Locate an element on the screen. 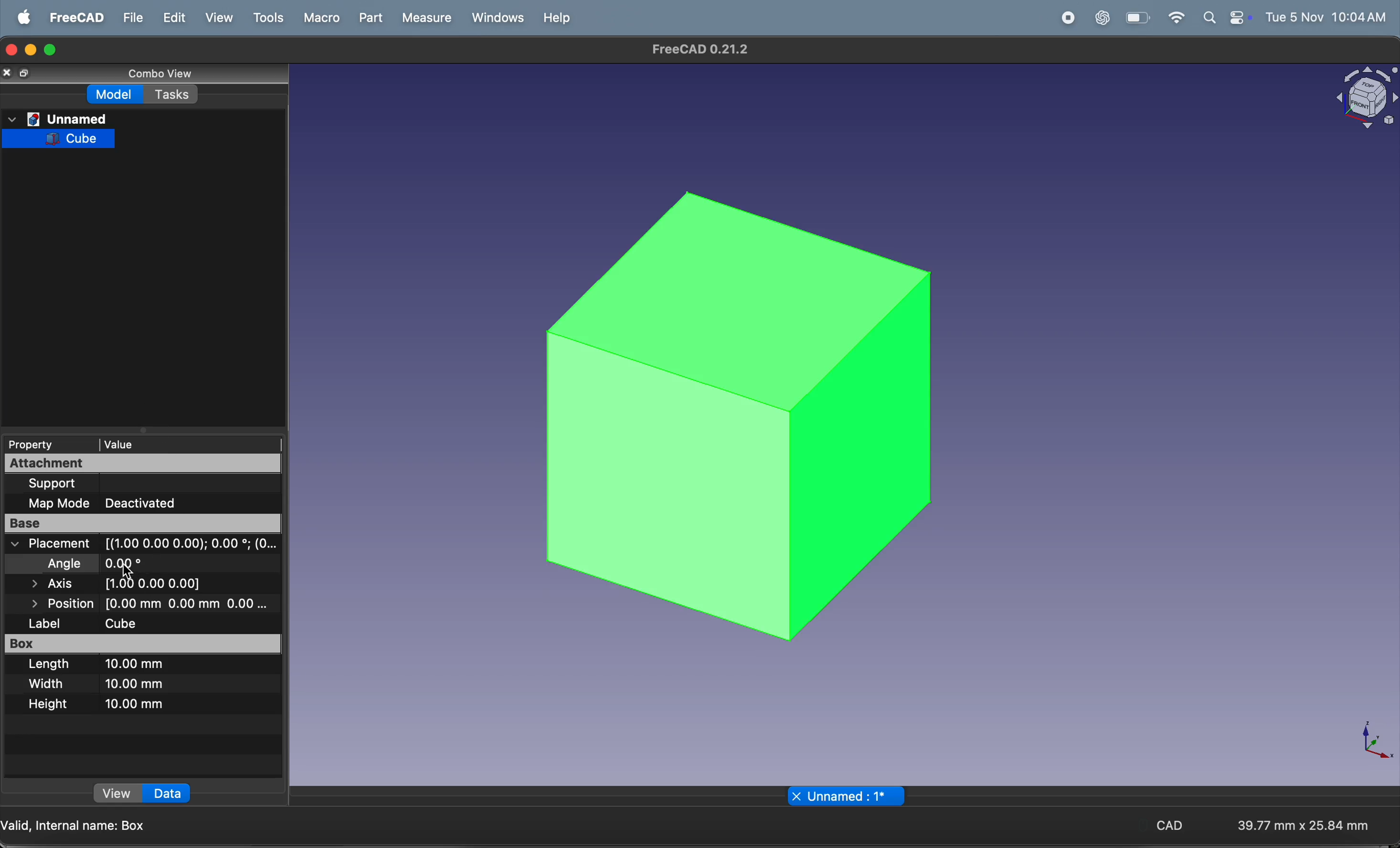 The width and height of the screenshot is (1400, 848). attachment is located at coordinates (142, 464).